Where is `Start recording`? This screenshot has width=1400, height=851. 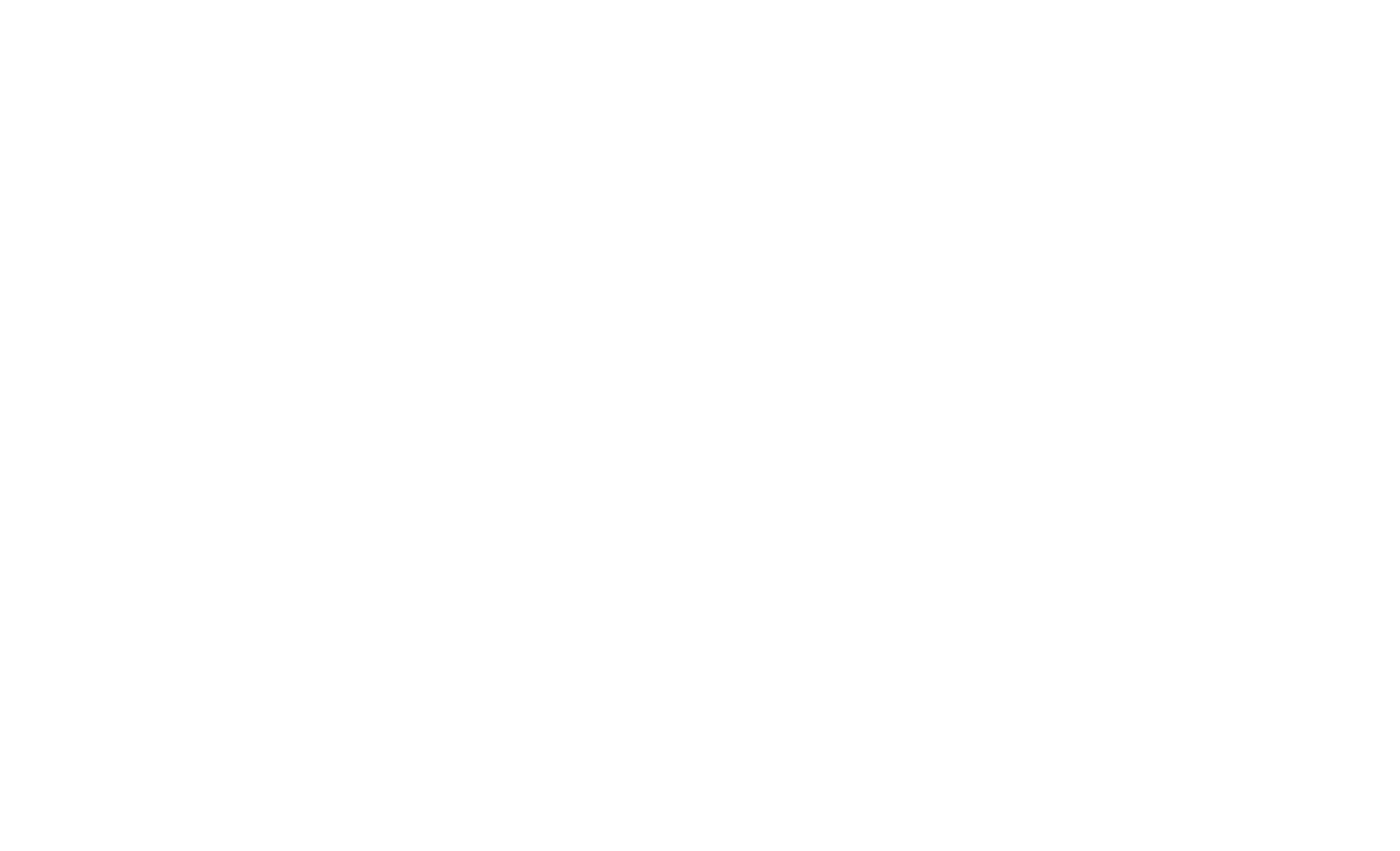 Start recording is located at coordinates (1273, 636).